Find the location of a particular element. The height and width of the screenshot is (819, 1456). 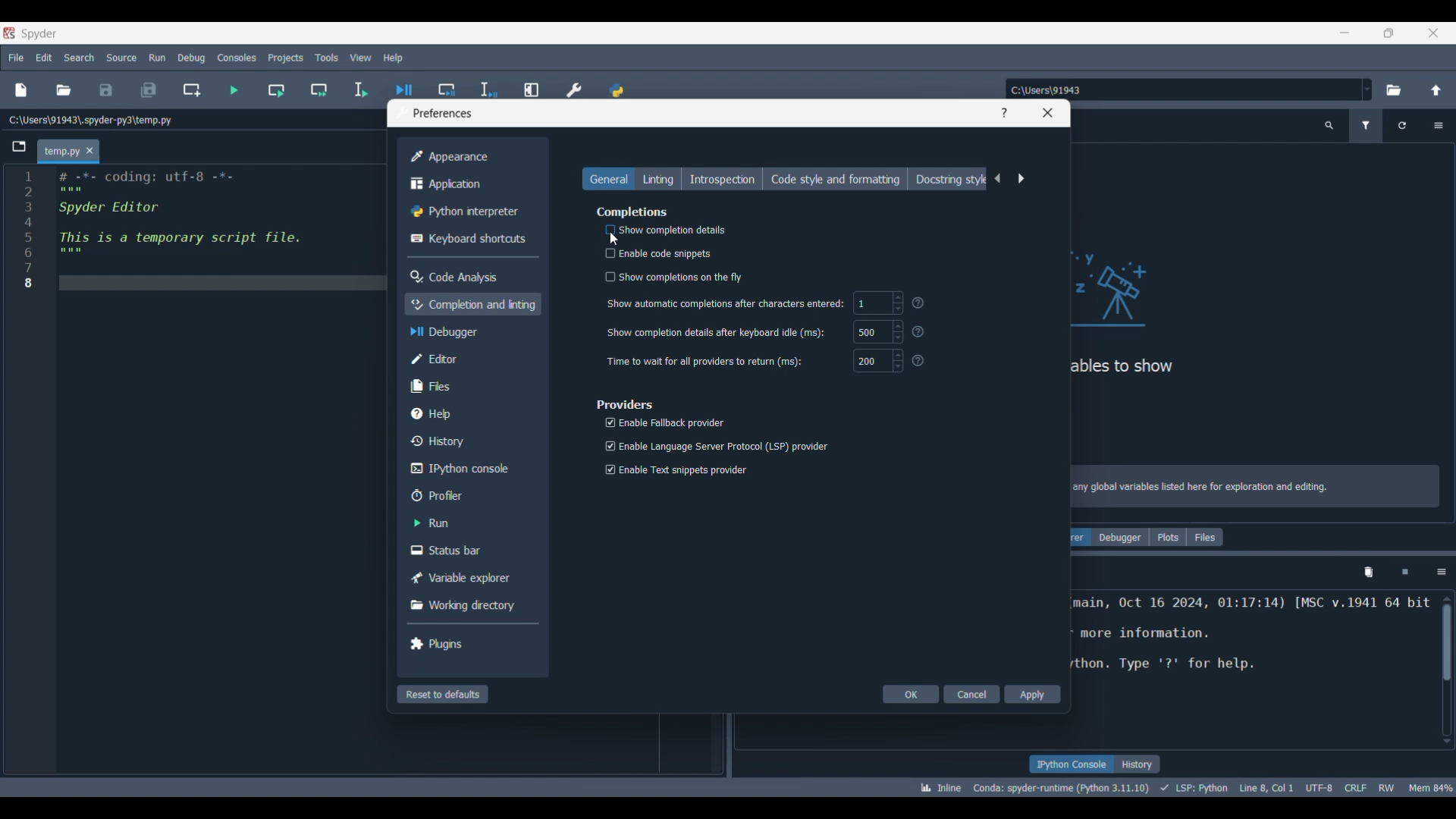

Interrupt kernel is located at coordinates (1405, 573).